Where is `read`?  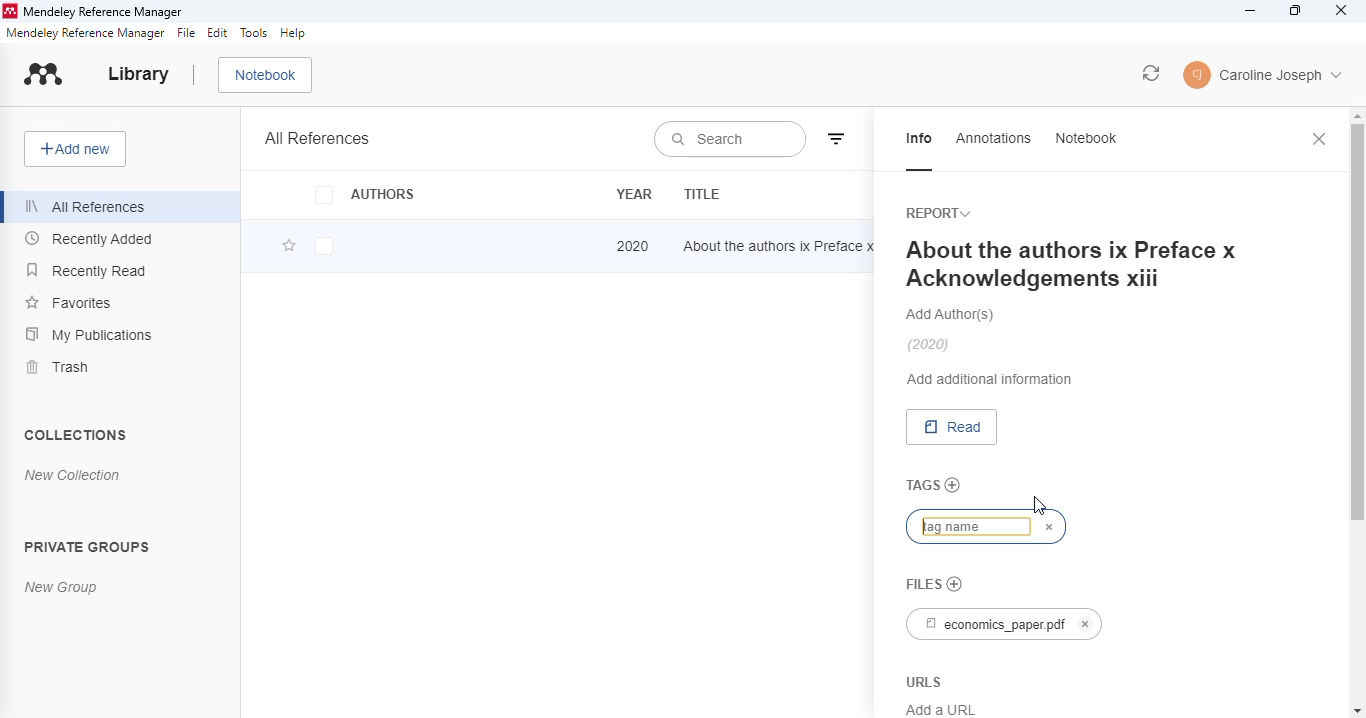
read is located at coordinates (952, 427).